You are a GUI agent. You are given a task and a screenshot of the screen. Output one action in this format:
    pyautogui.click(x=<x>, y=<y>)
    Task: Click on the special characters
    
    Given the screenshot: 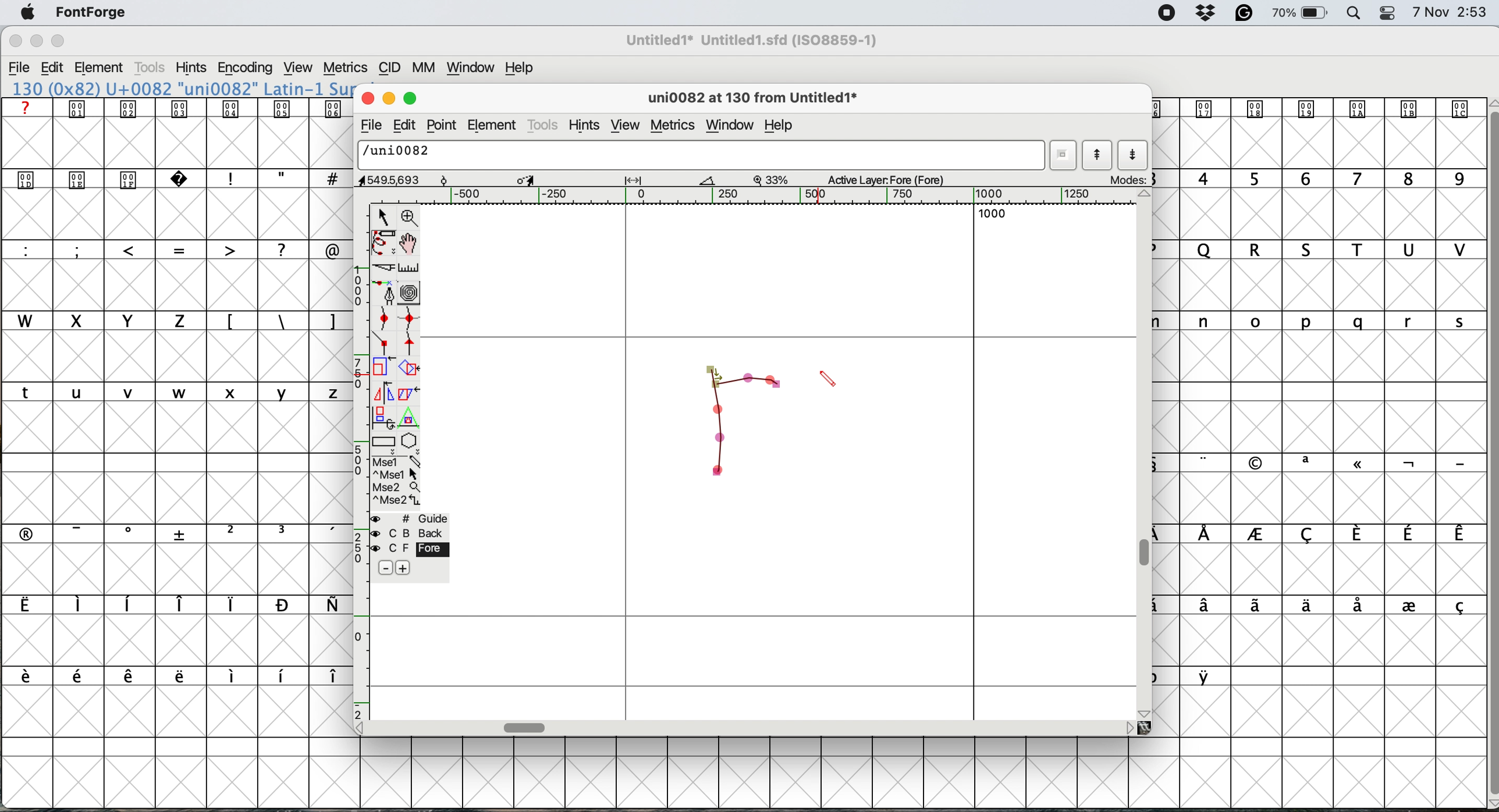 What is the action you would take?
    pyautogui.click(x=169, y=249)
    